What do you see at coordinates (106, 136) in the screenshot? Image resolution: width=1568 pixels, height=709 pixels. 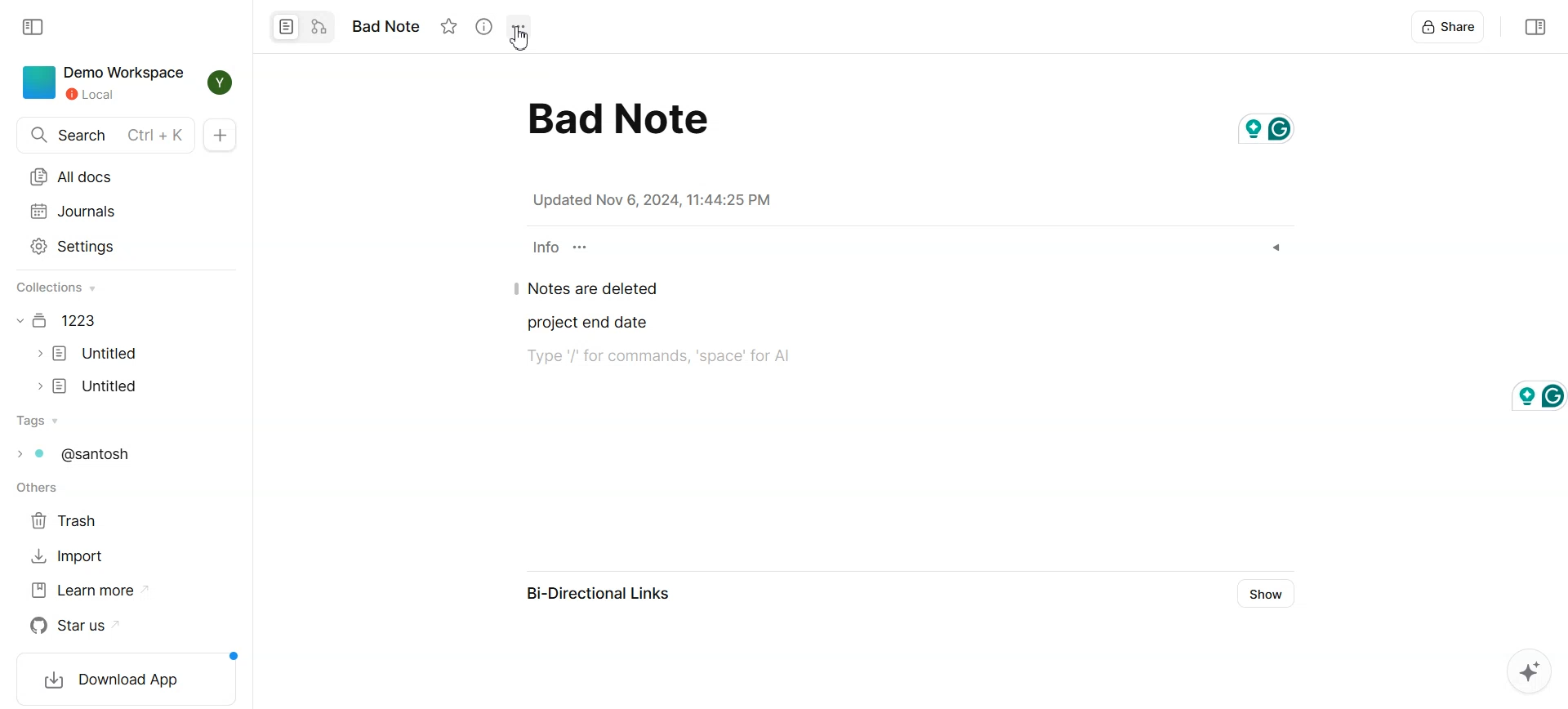 I see `Search doc` at bounding box center [106, 136].